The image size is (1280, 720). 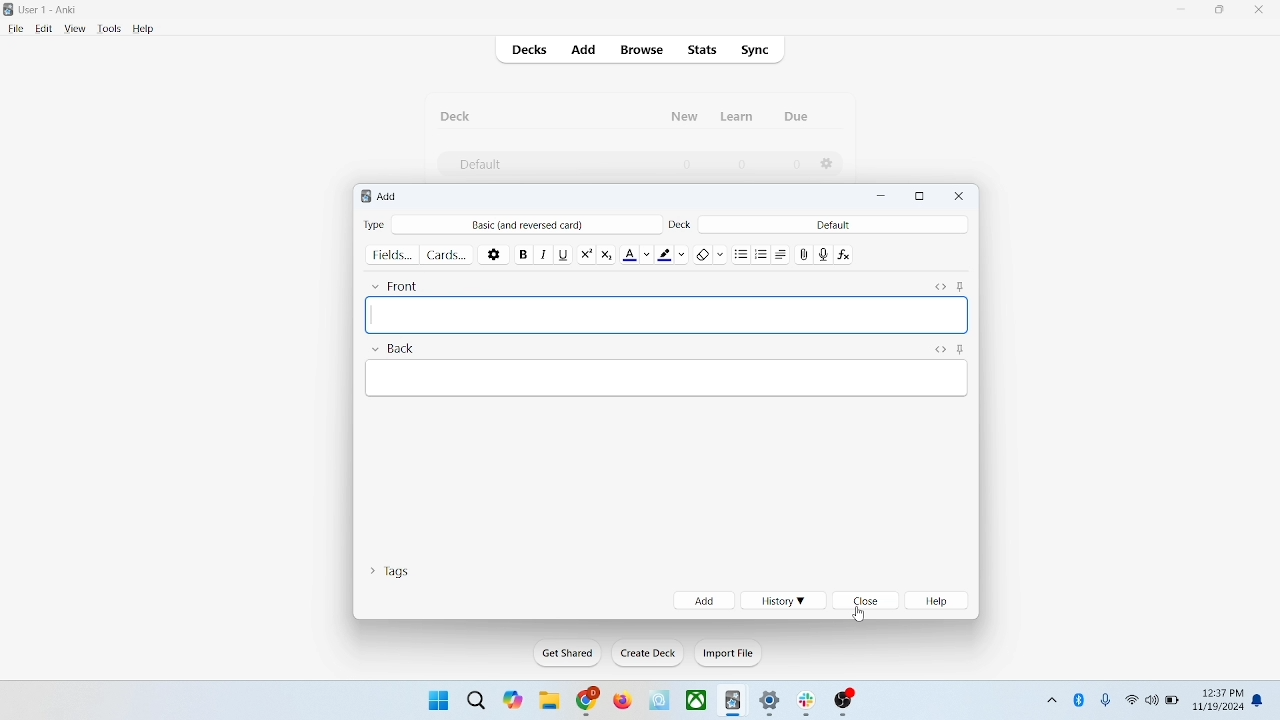 I want to click on edit, so click(x=45, y=28).